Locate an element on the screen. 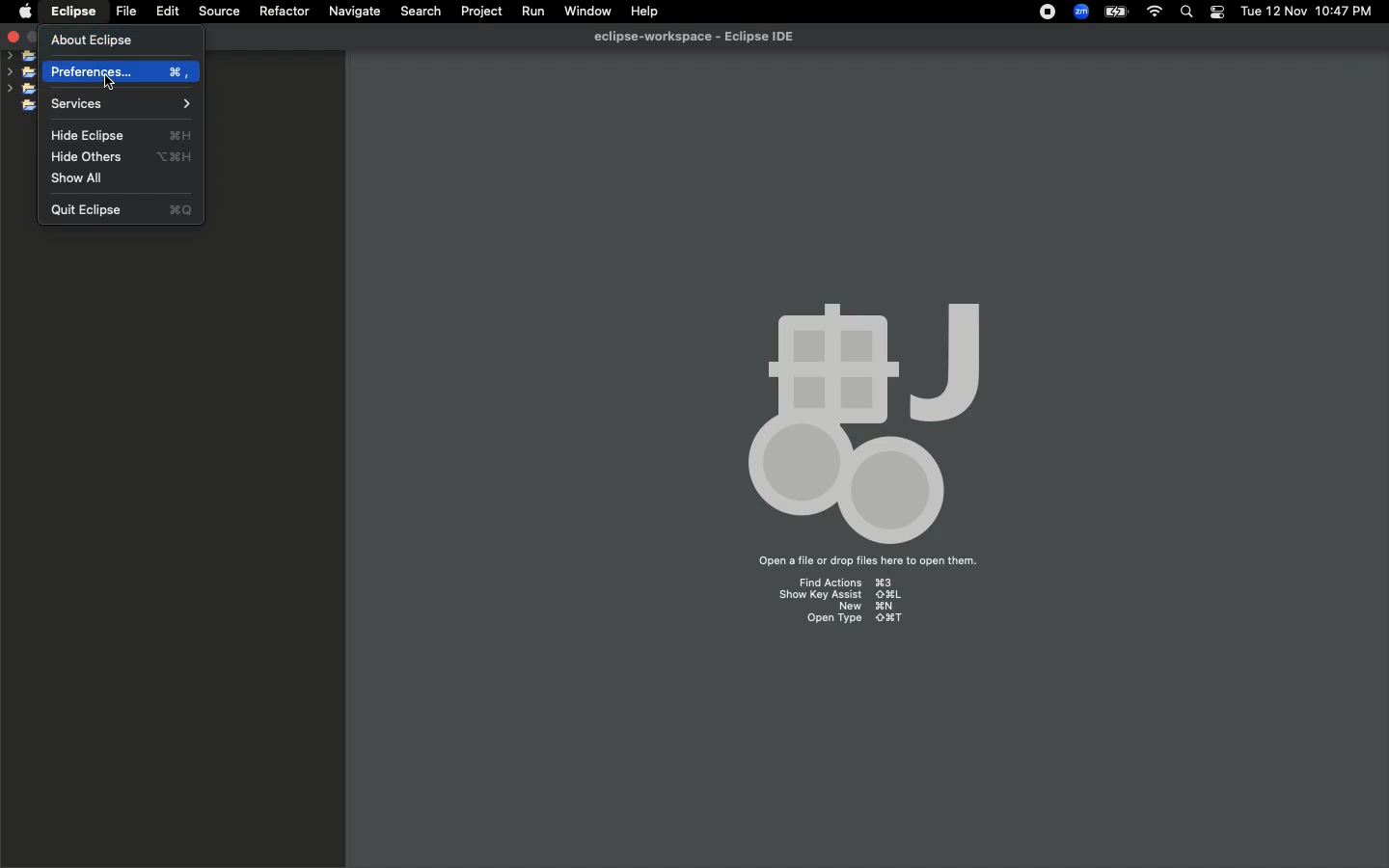  Navigate is located at coordinates (356, 11).